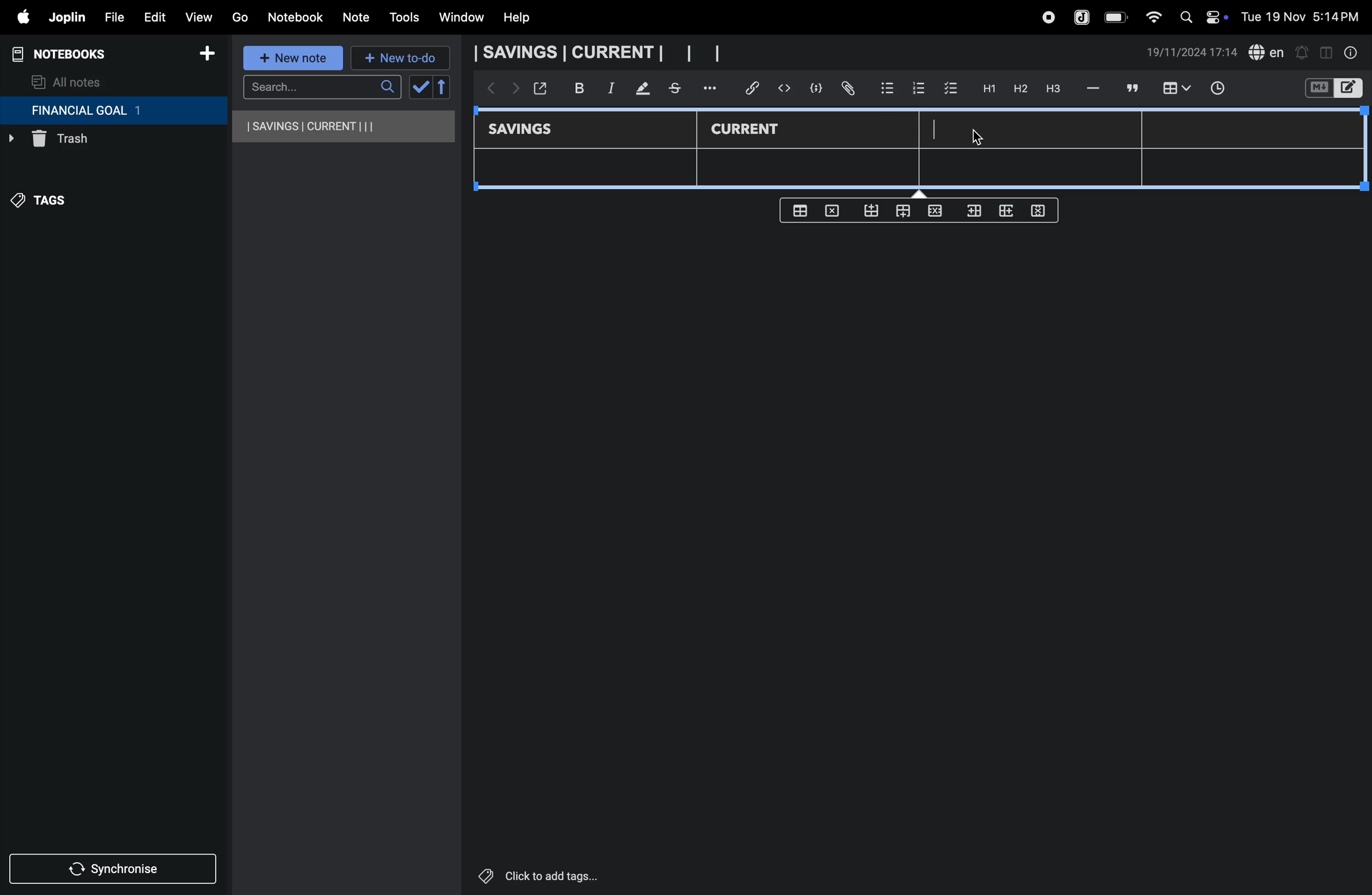 Image resolution: width=1372 pixels, height=895 pixels. Describe the element at coordinates (295, 17) in the screenshot. I see `notebook` at that location.